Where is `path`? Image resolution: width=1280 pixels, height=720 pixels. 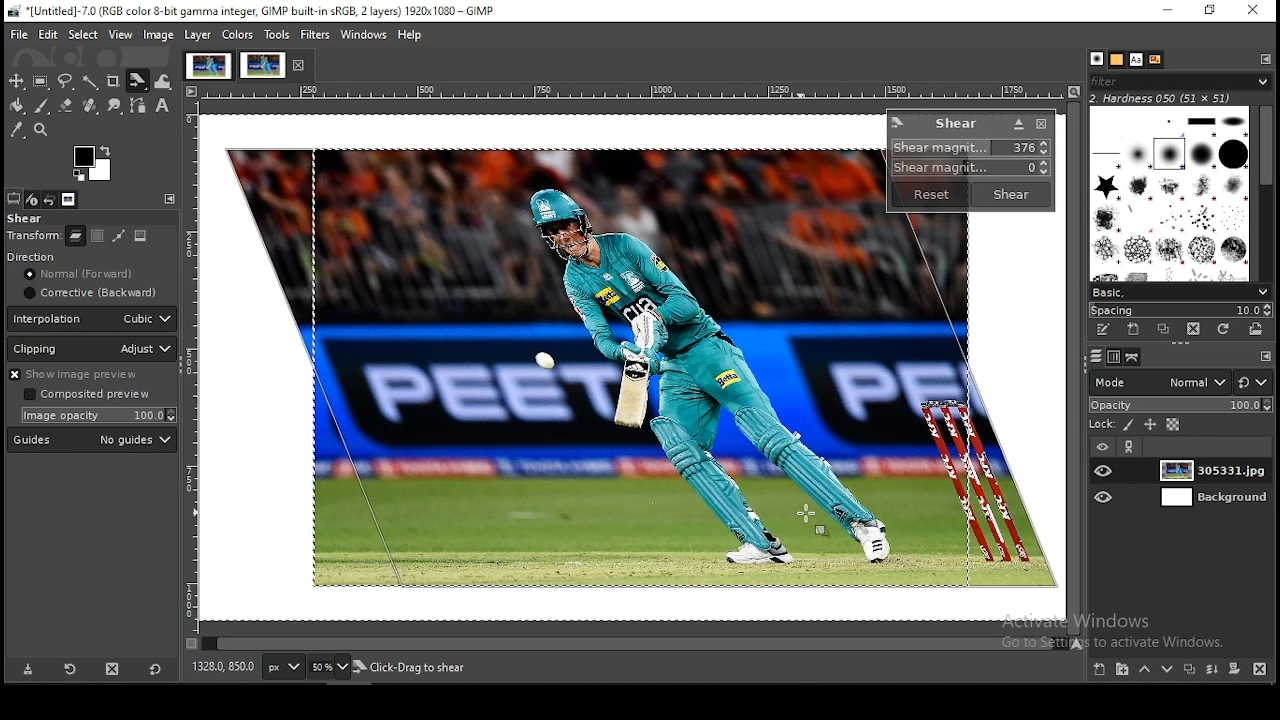
path is located at coordinates (117, 236).